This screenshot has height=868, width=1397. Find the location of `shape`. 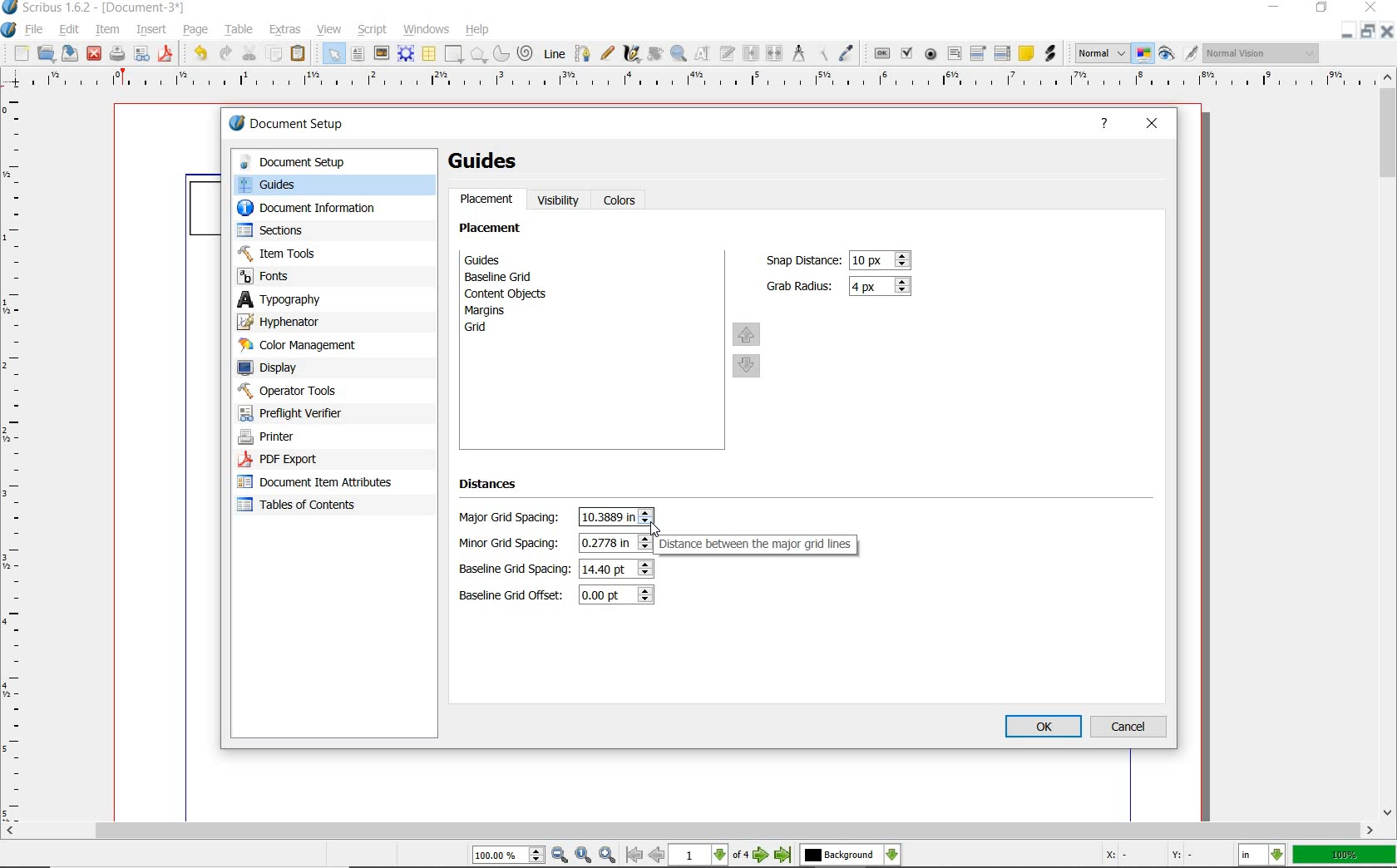

shape is located at coordinates (455, 55).